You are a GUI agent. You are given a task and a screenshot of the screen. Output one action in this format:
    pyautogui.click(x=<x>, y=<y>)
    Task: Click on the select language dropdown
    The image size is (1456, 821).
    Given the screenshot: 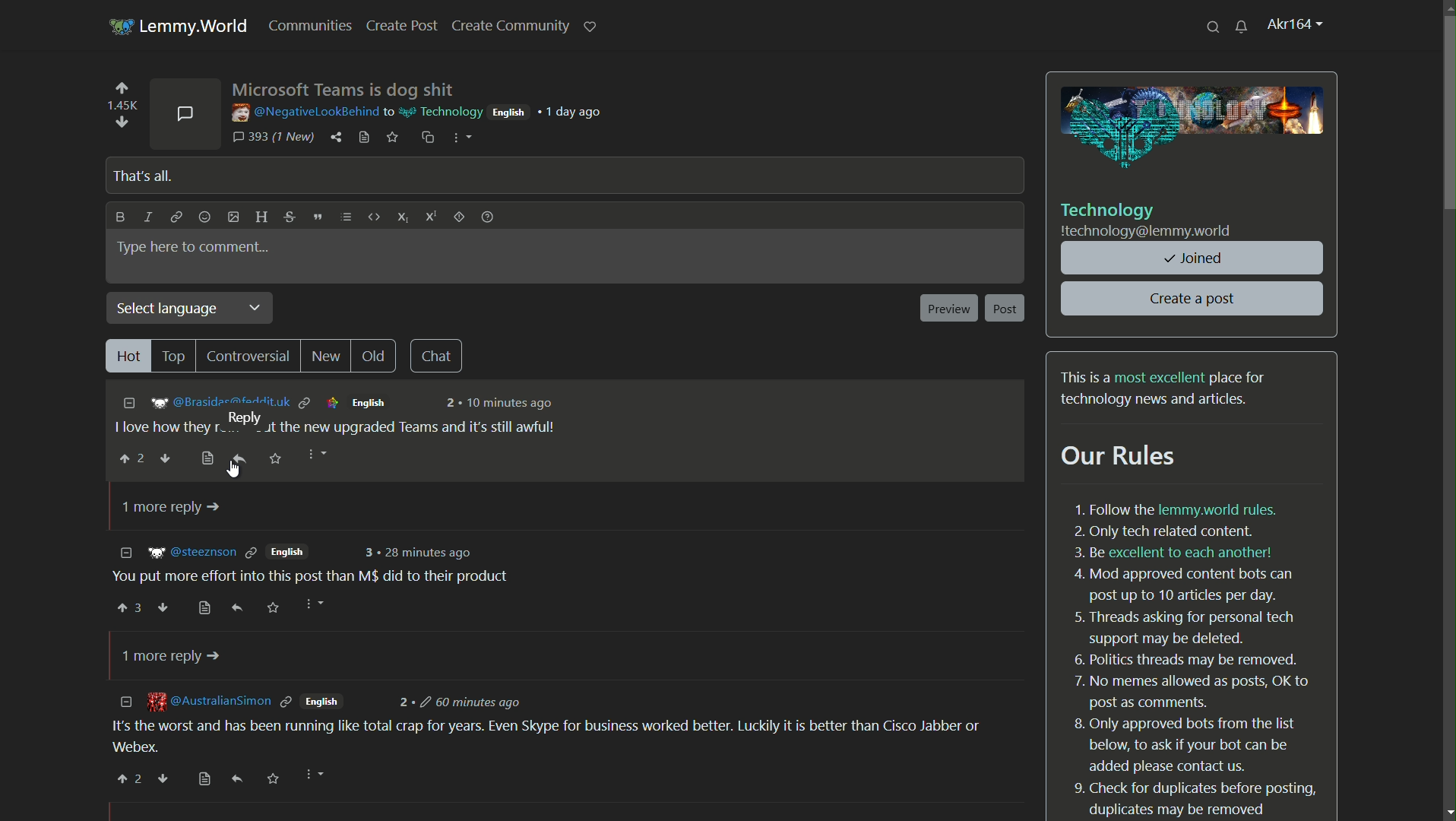 What is the action you would take?
    pyautogui.click(x=192, y=309)
    